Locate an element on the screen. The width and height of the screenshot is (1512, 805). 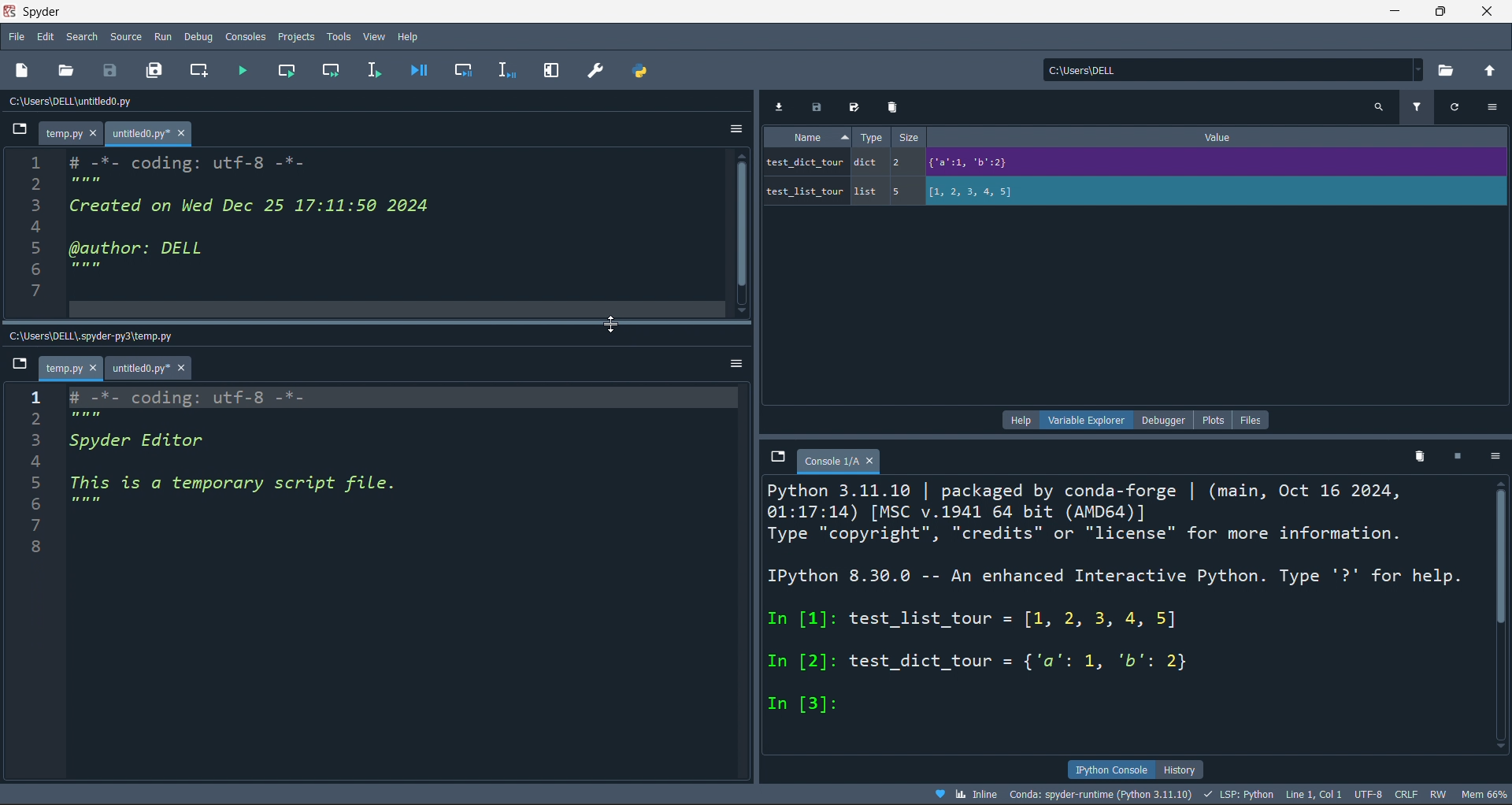
7 is located at coordinates (44, 289).